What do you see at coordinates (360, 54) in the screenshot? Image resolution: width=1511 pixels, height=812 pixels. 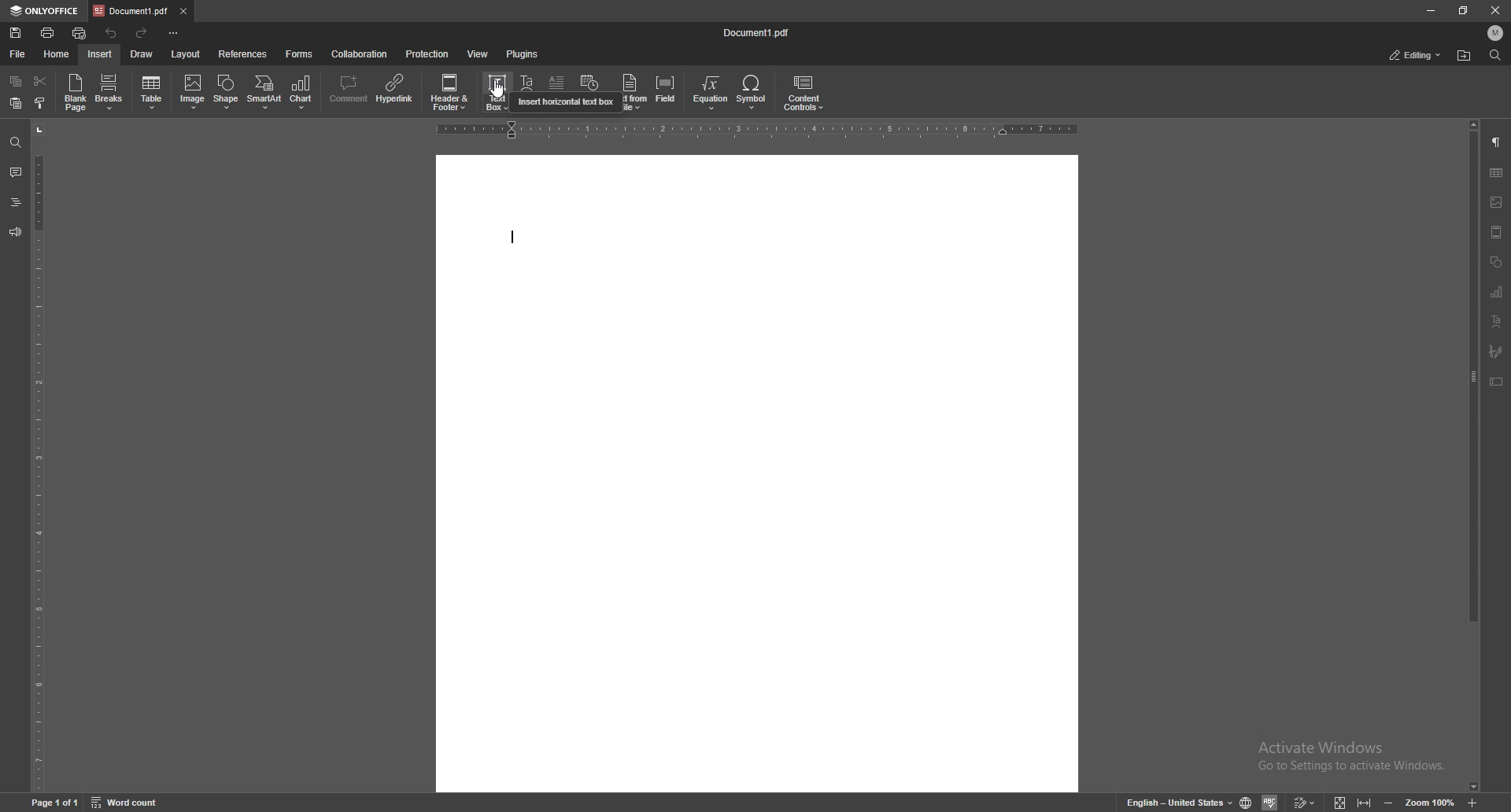 I see `colaboration` at bounding box center [360, 54].